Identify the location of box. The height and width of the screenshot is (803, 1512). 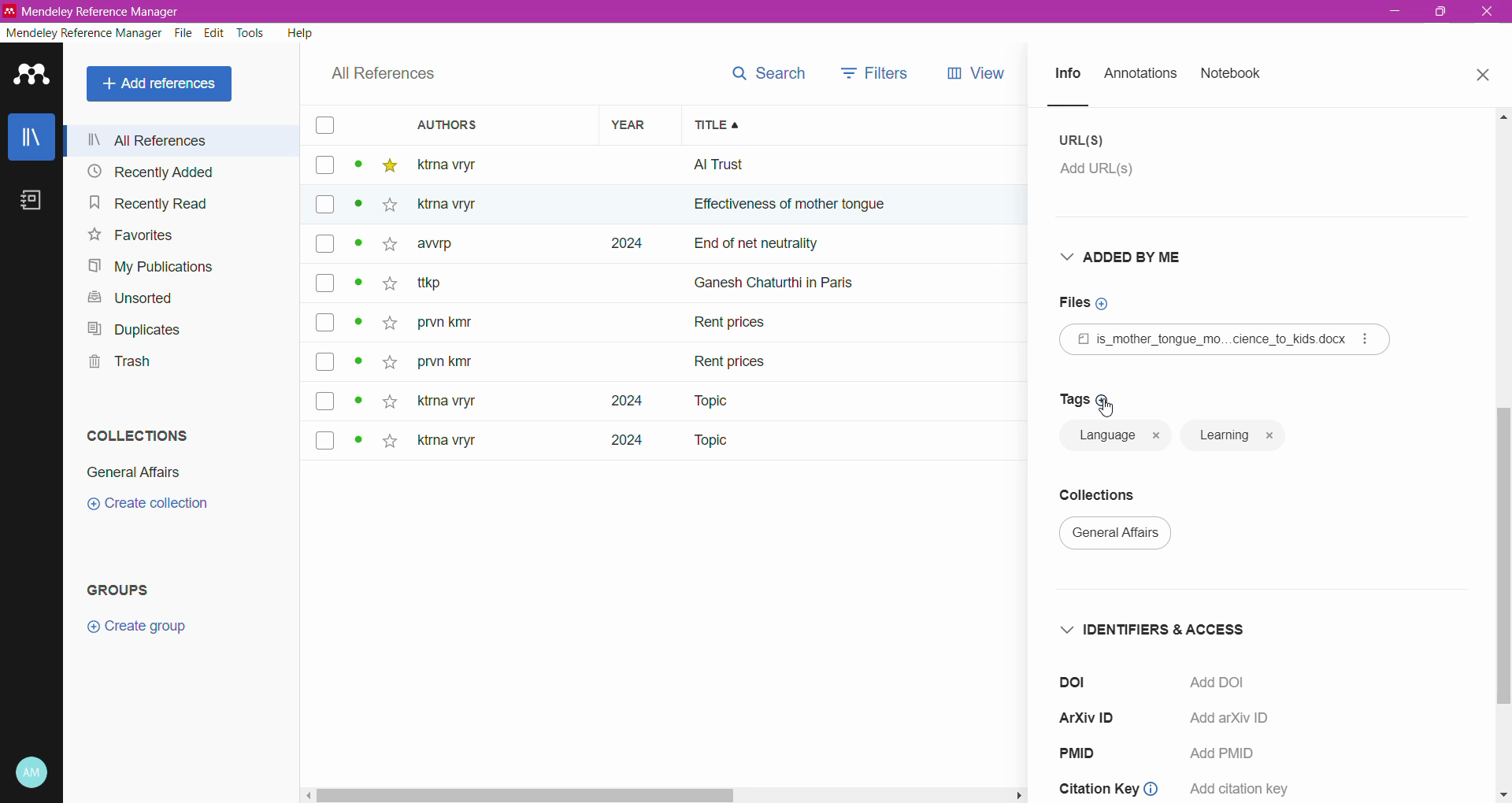
(324, 166).